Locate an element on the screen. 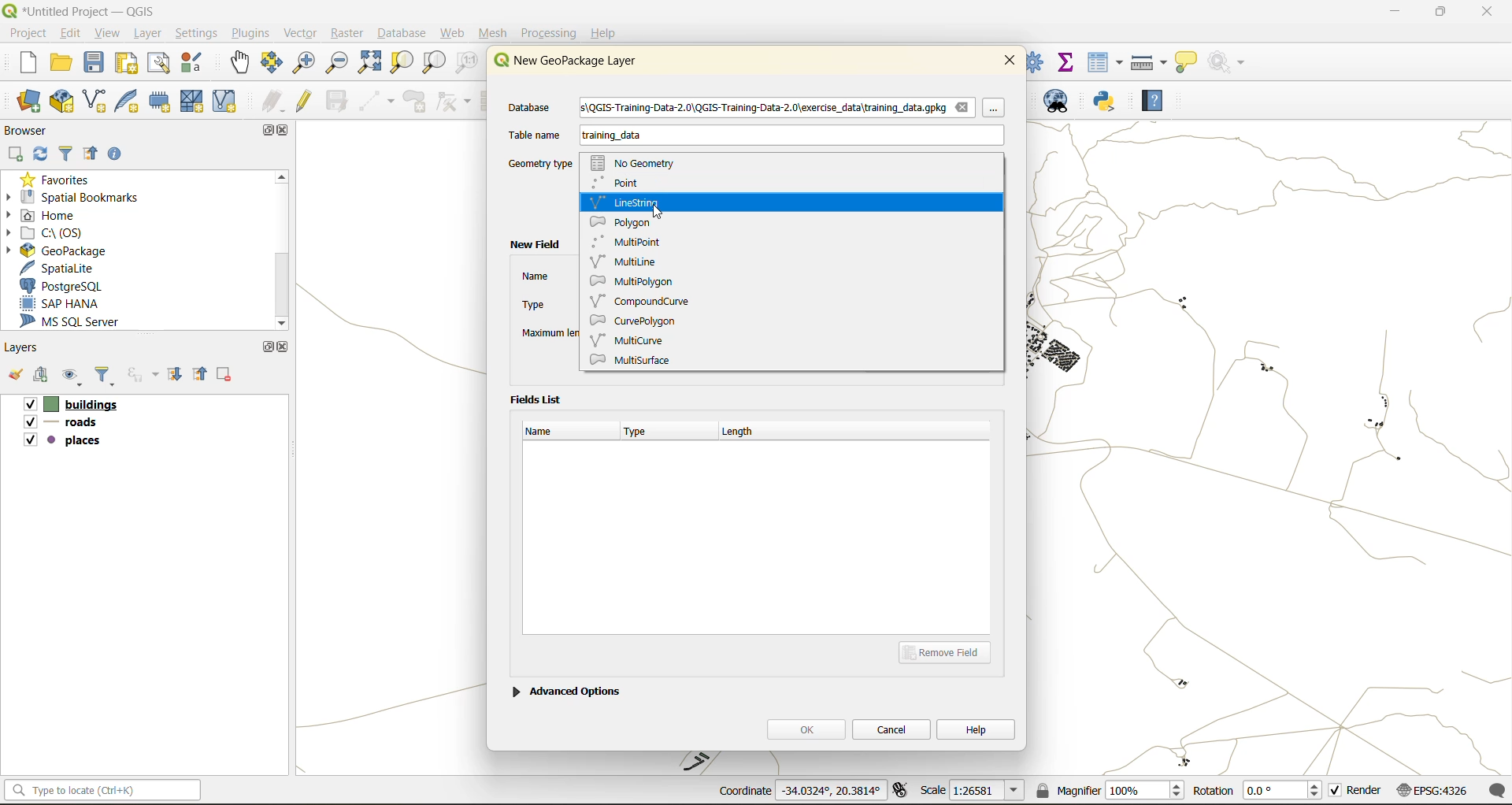 The width and height of the screenshot is (1512, 805). favorites is located at coordinates (59, 178).